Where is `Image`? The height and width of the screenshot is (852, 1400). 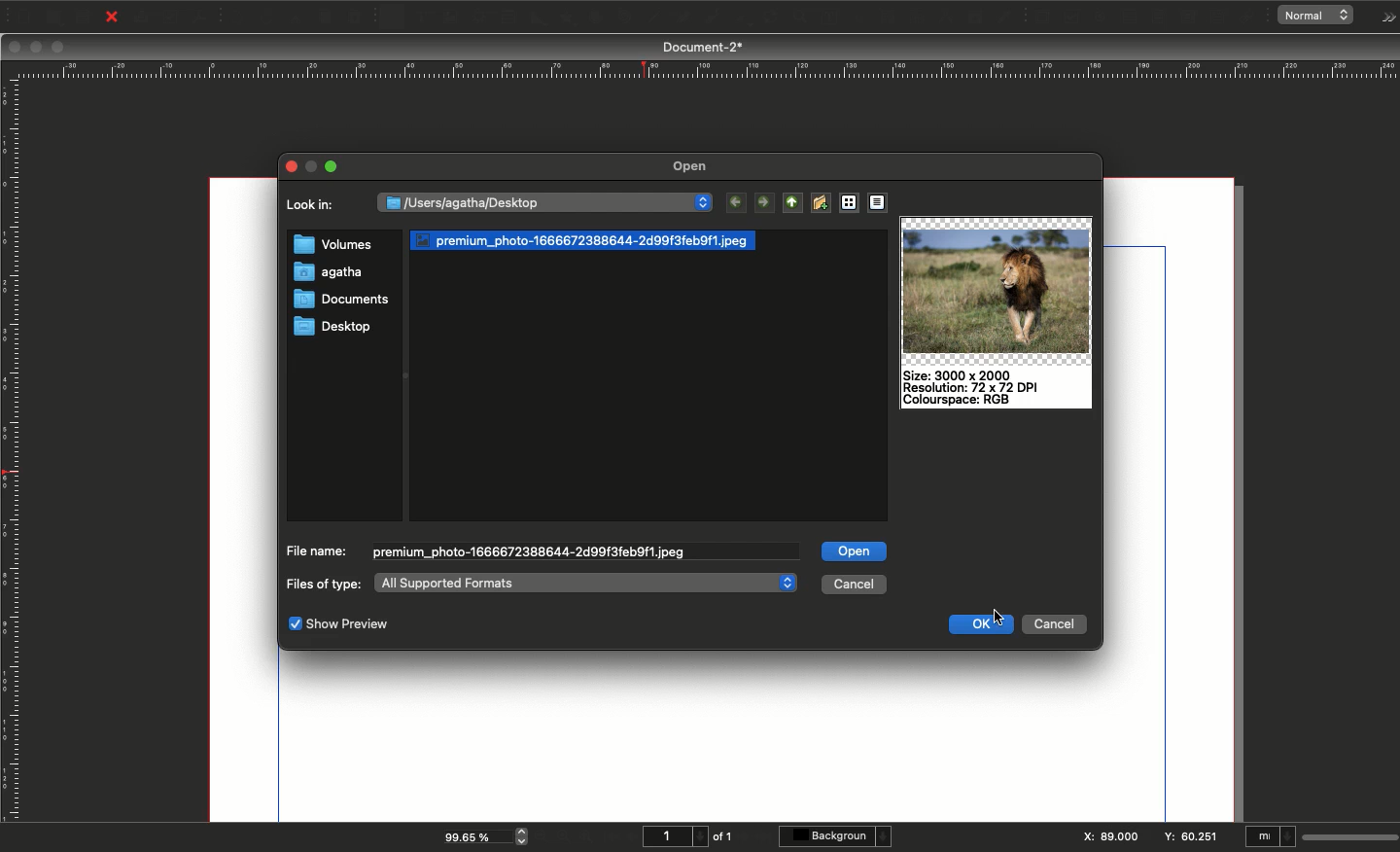 Image is located at coordinates (997, 287).